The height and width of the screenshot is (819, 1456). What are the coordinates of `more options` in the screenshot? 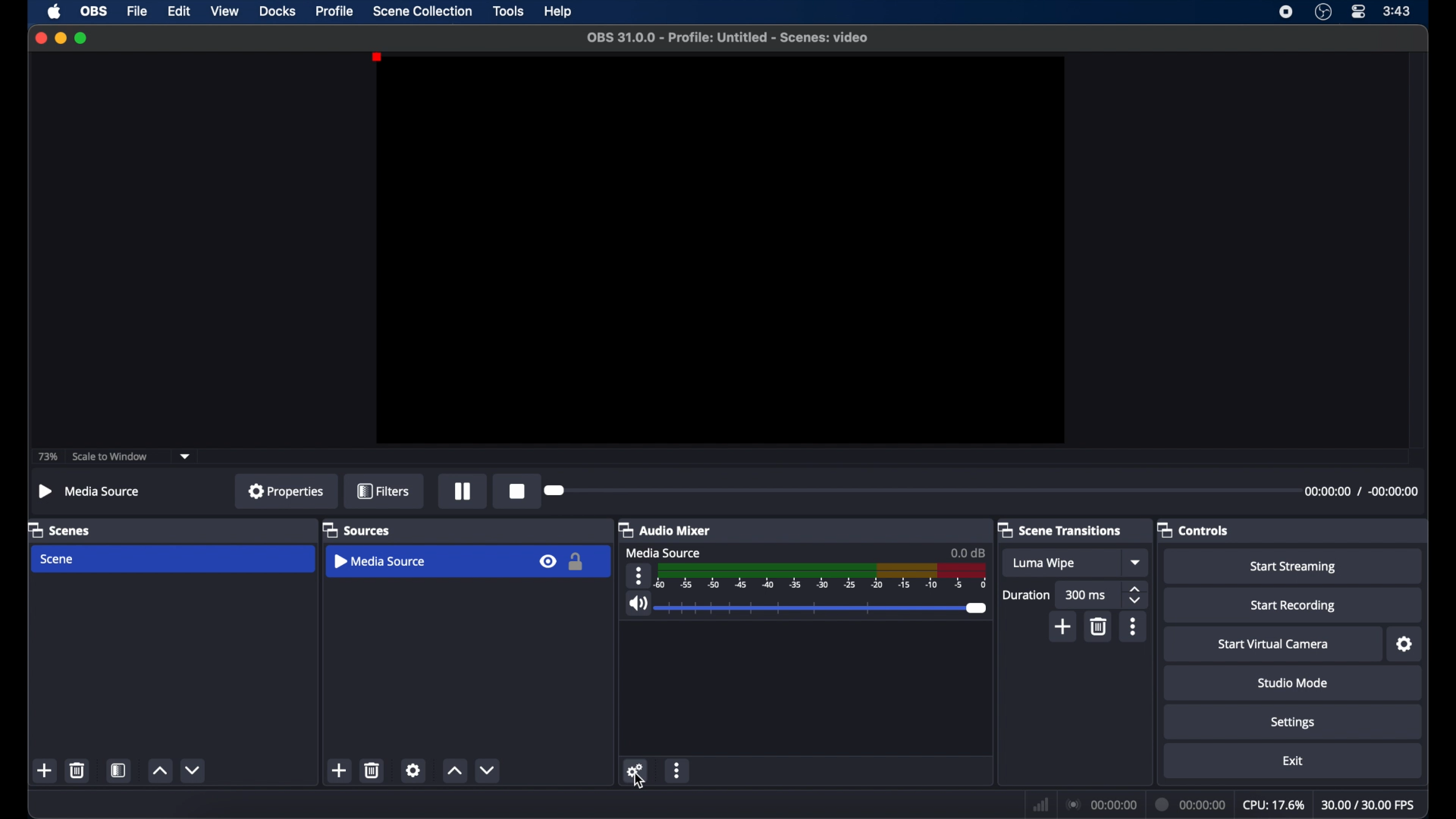 It's located at (678, 770).